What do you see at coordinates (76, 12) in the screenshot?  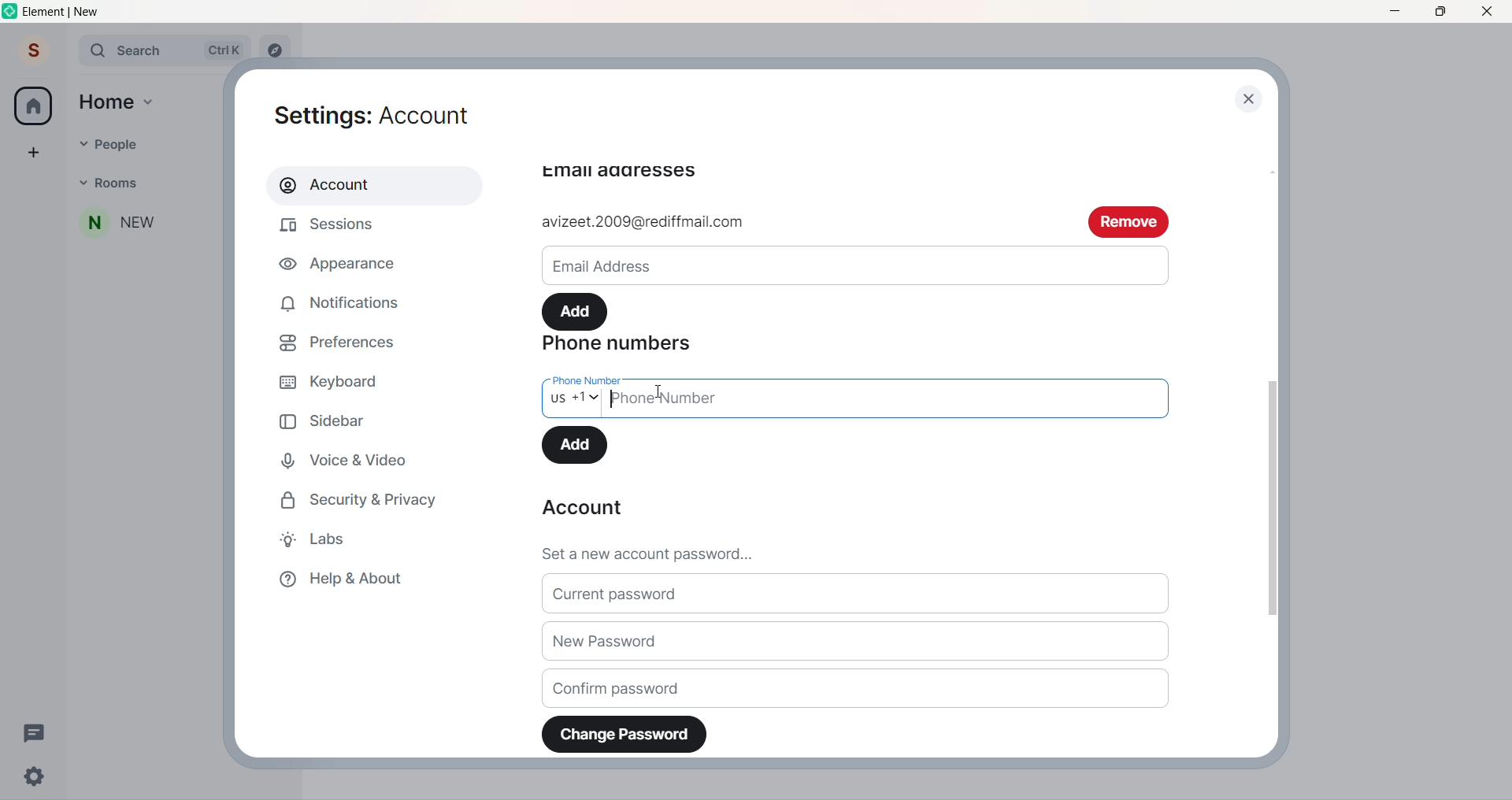 I see `Title ` at bounding box center [76, 12].